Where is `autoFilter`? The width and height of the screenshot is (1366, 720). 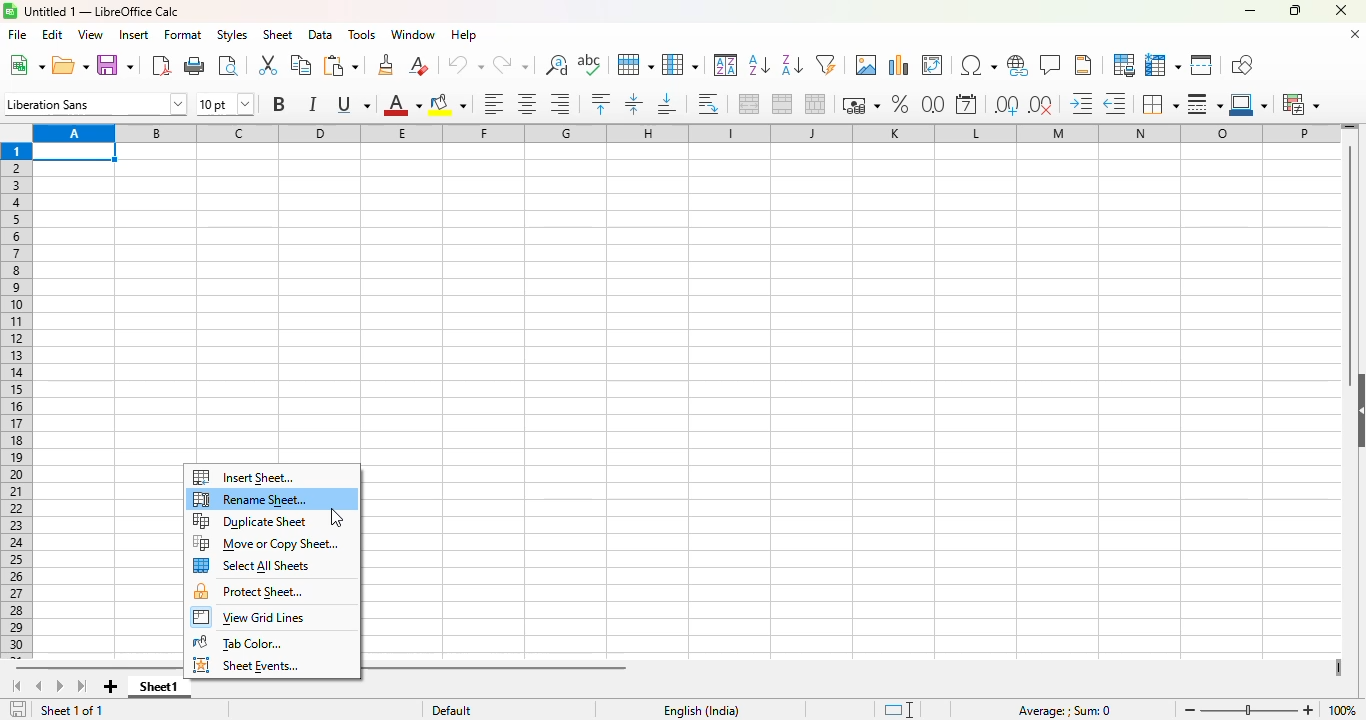
autoFilter is located at coordinates (826, 65).